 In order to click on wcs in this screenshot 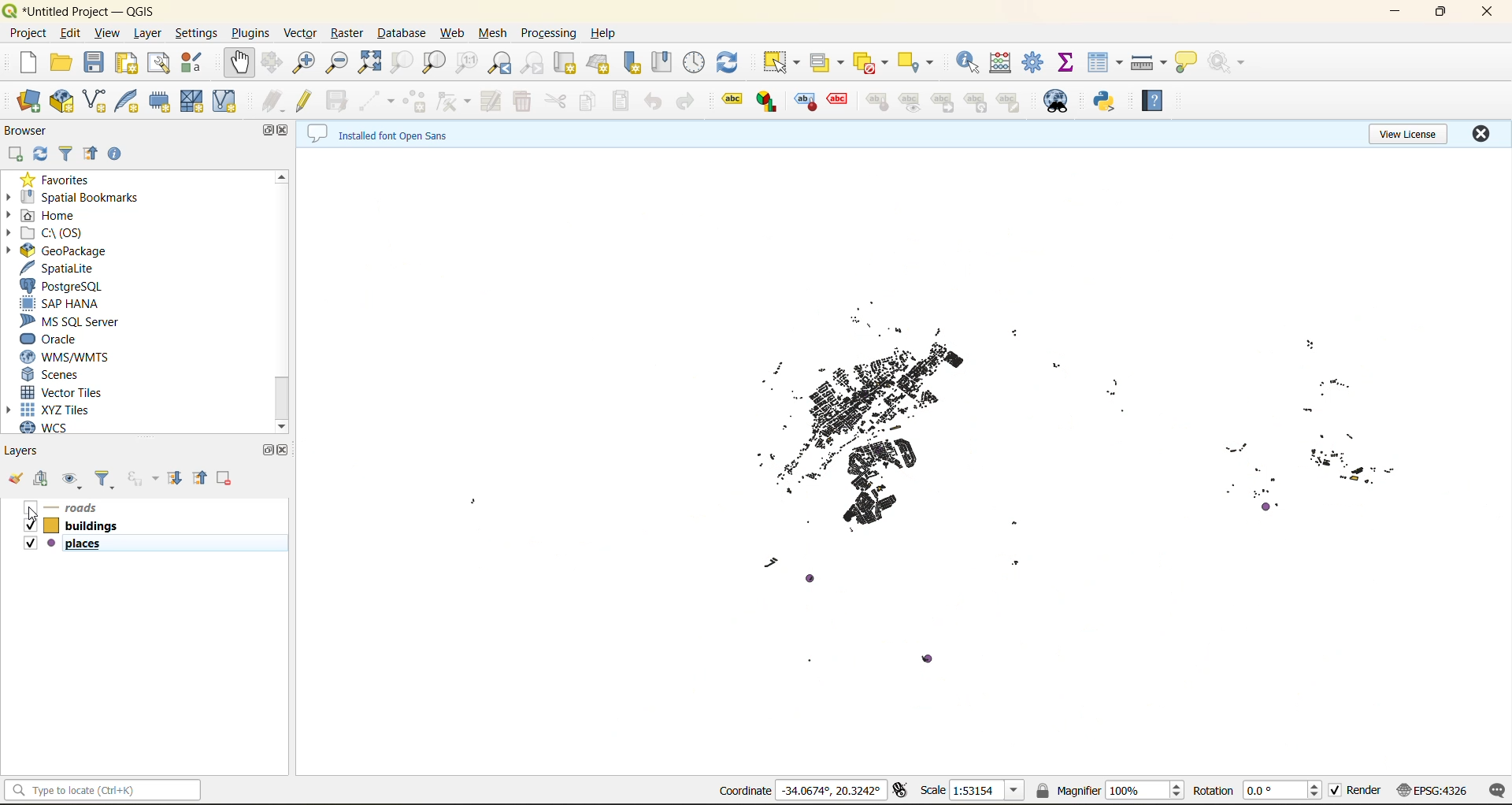, I will do `click(71, 428)`.